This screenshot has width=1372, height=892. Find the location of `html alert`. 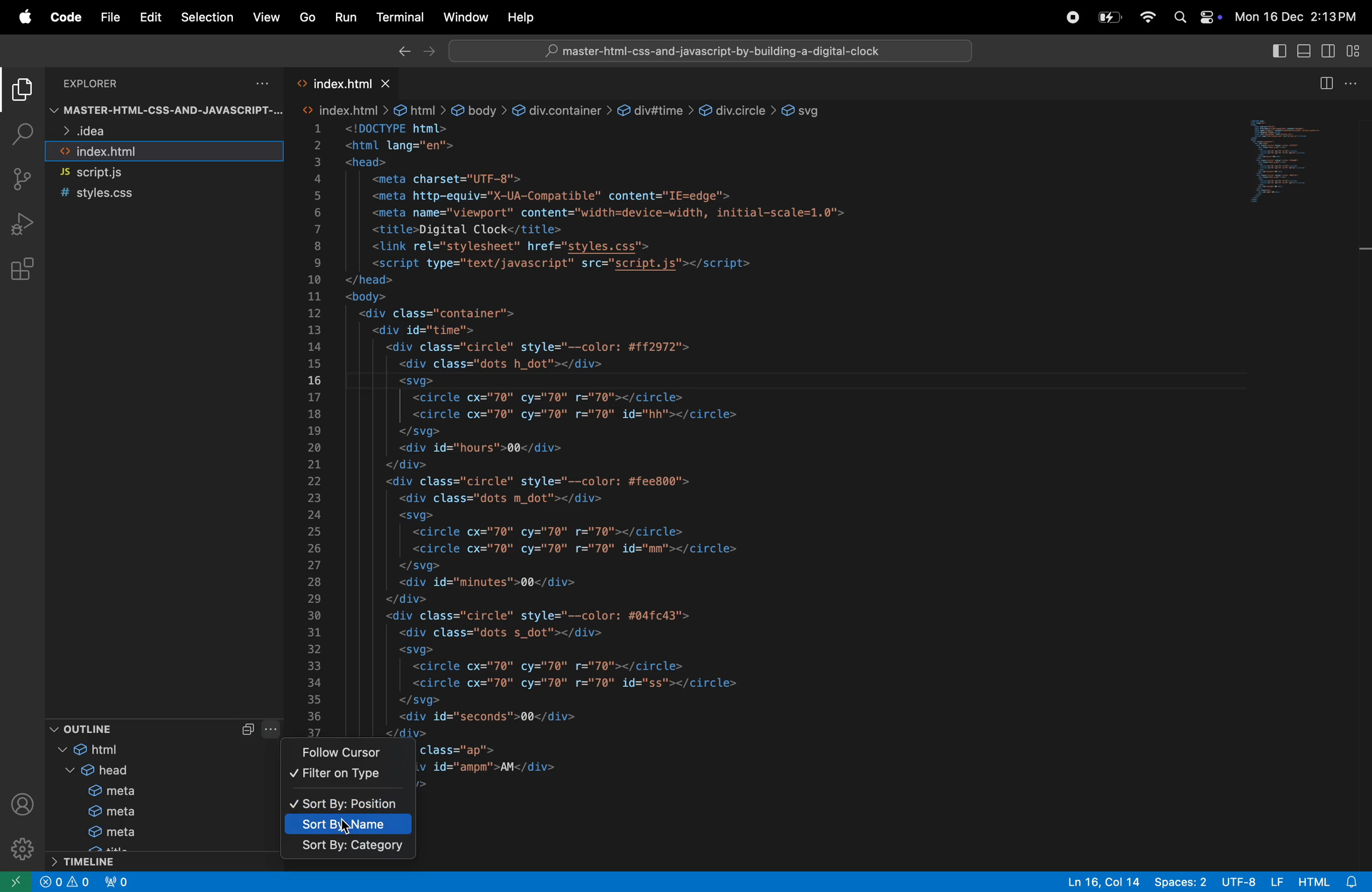

html alert is located at coordinates (1328, 882).